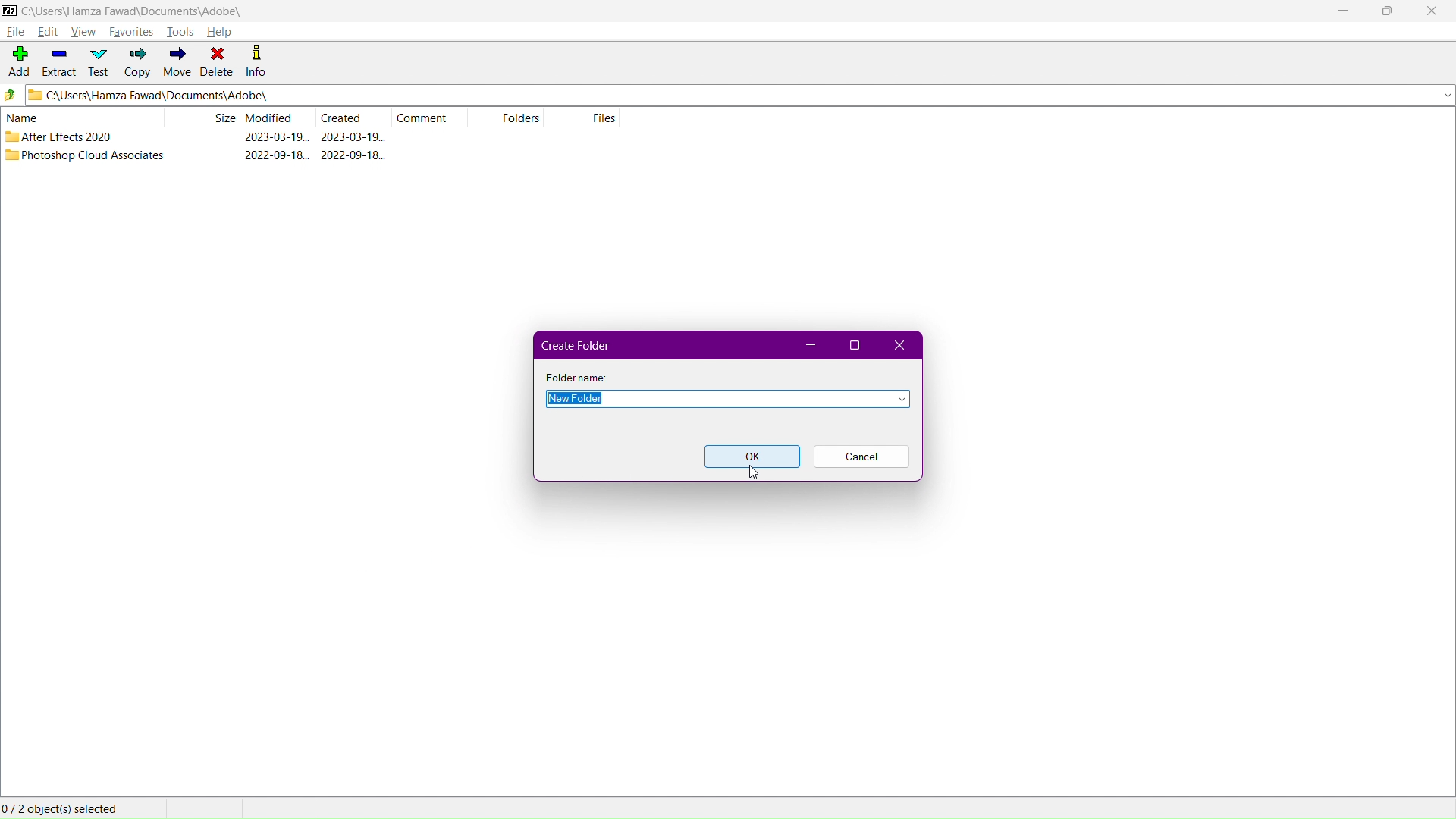  What do you see at coordinates (577, 377) in the screenshot?
I see `Folder name:` at bounding box center [577, 377].